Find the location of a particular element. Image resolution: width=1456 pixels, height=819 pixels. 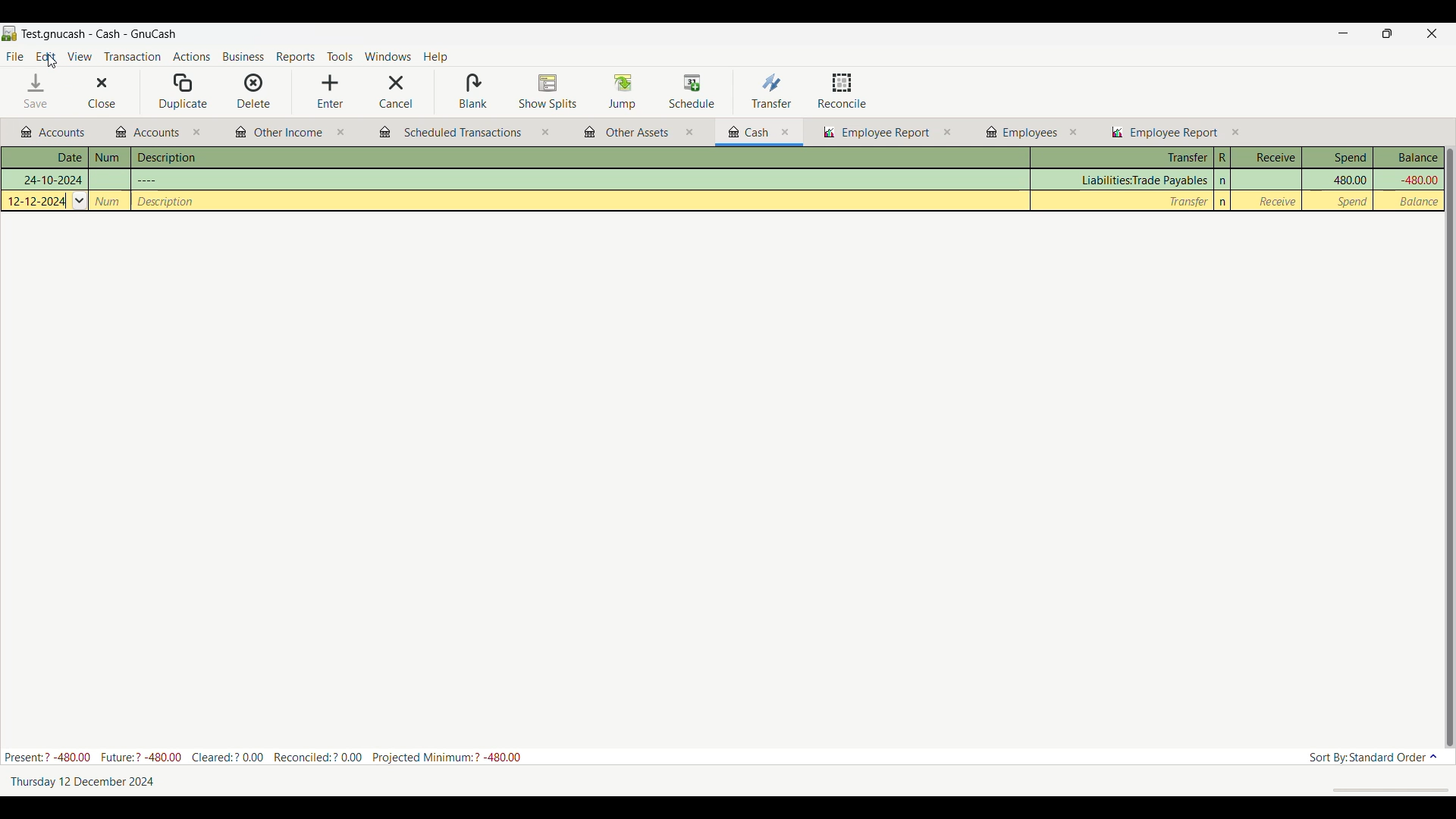

Name of current budget tab and software is located at coordinates (100, 33).